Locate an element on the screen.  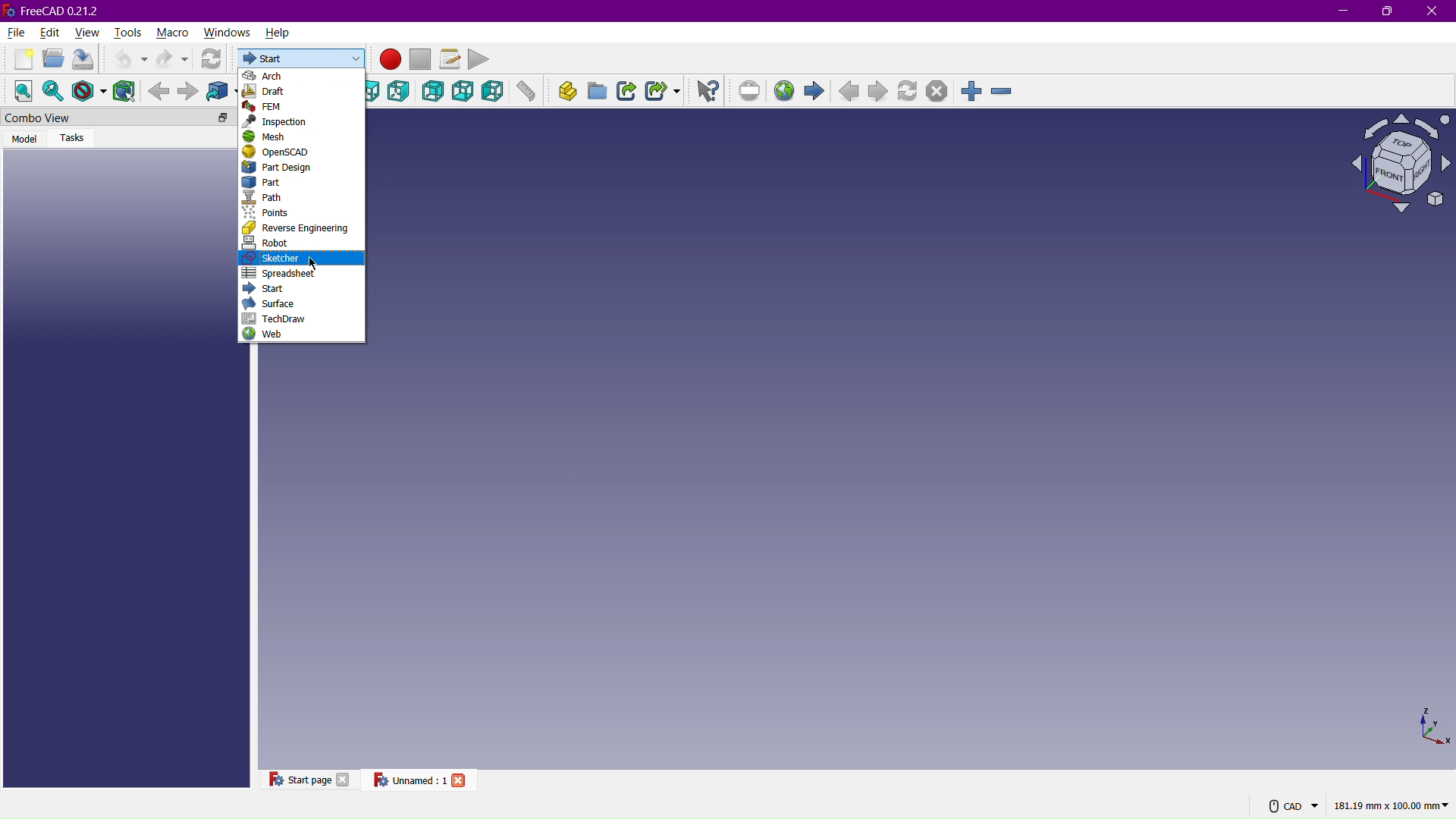
Go to linked objects is located at coordinates (221, 89).